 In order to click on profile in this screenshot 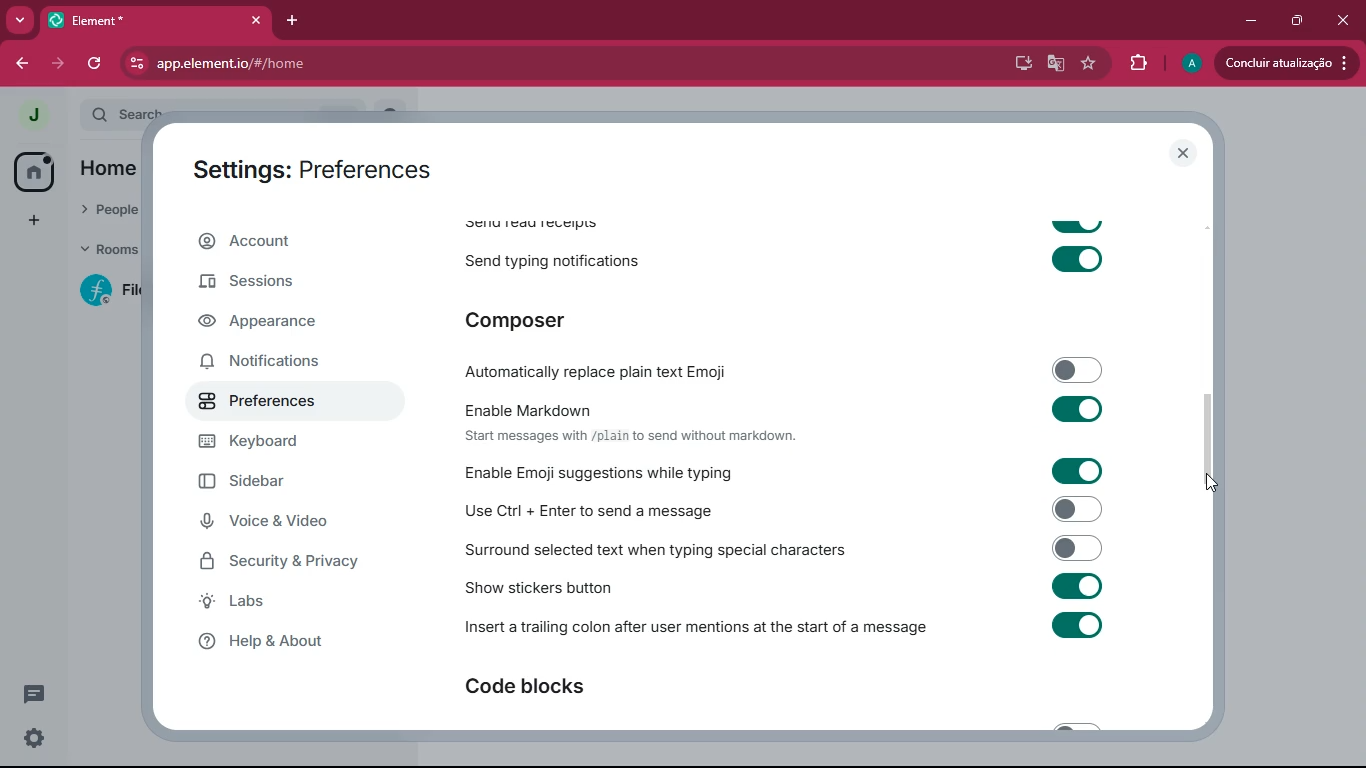, I will do `click(1193, 63)`.